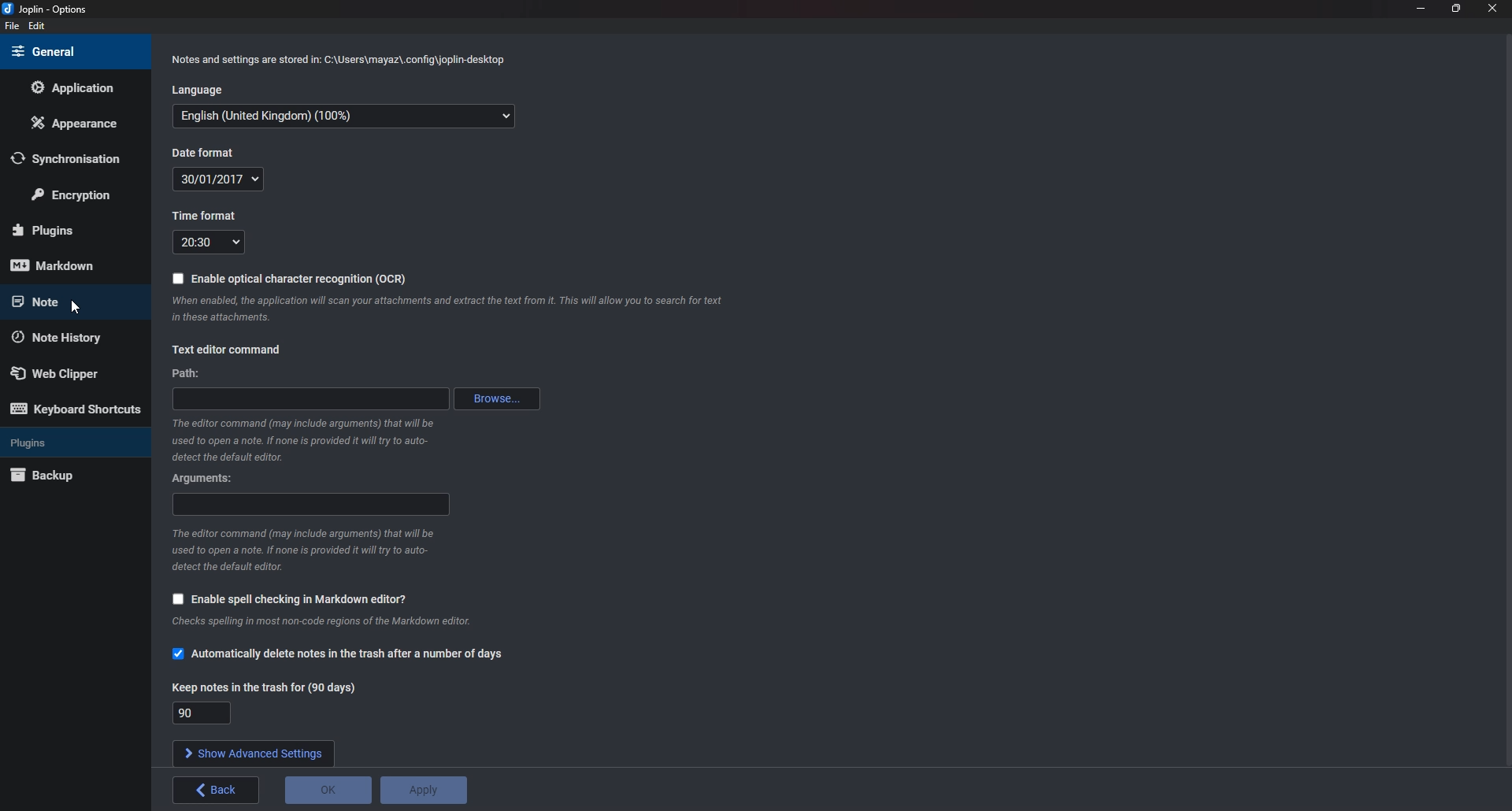 Image resolution: width=1512 pixels, height=811 pixels. What do you see at coordinates (217, 214) in the screenshot?
I see `Time format` at bounding box center [217, 214].